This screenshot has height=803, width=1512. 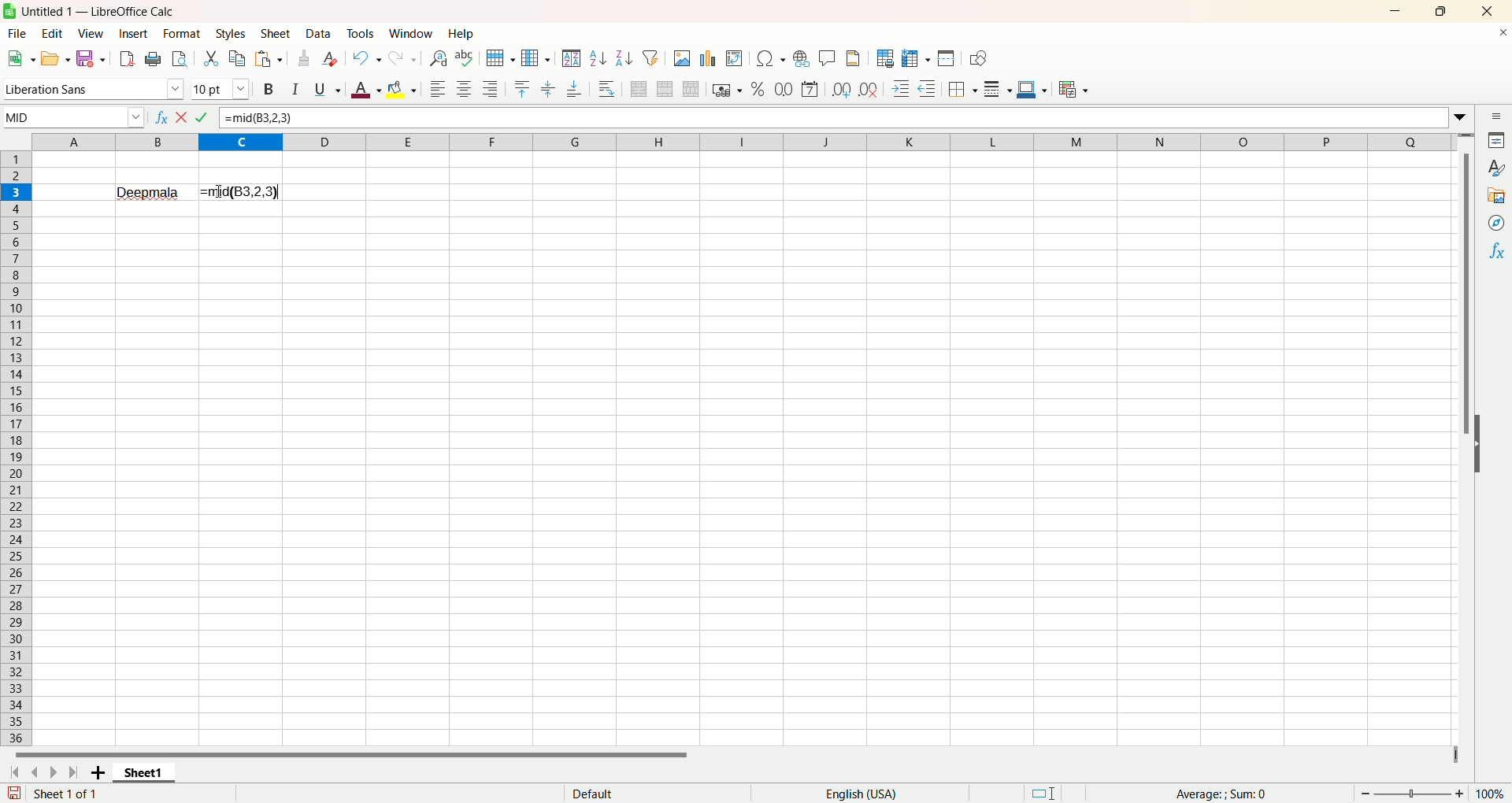 I want to click on Underline, so click(x=328, y=89).